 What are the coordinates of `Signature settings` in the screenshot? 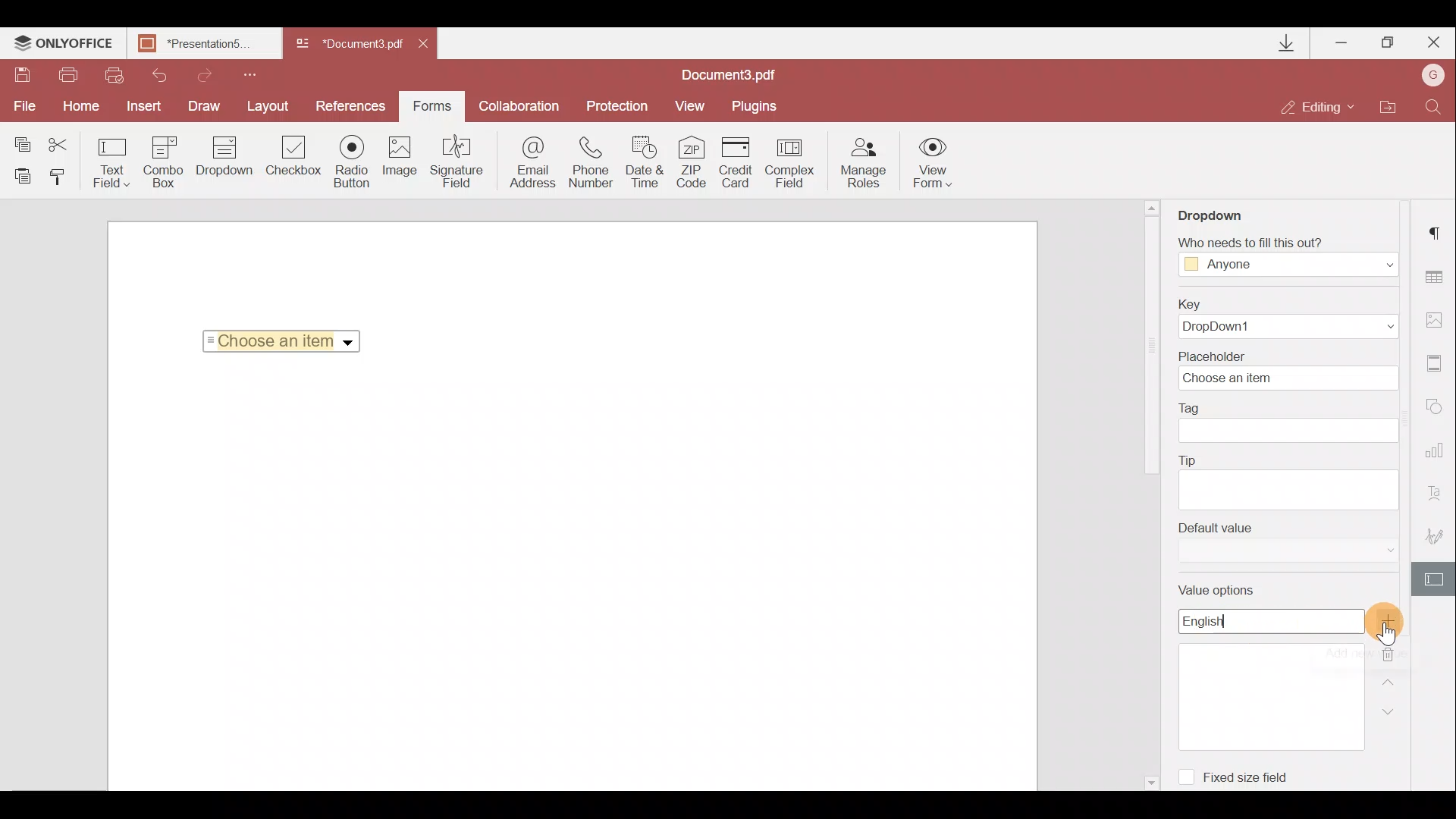 It's located at (1438, 540).